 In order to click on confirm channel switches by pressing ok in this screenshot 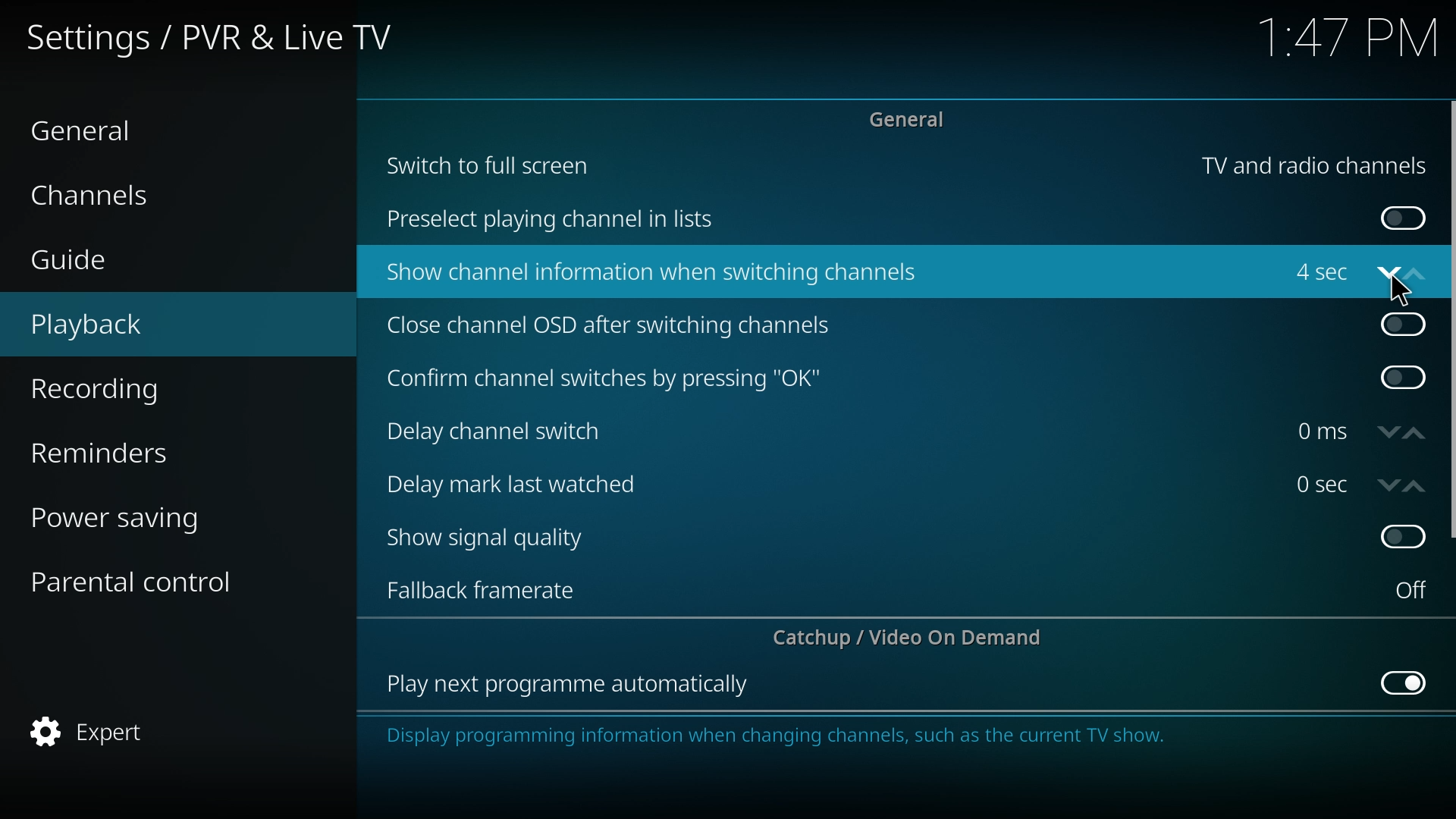, I will do `click(603, 379)`.